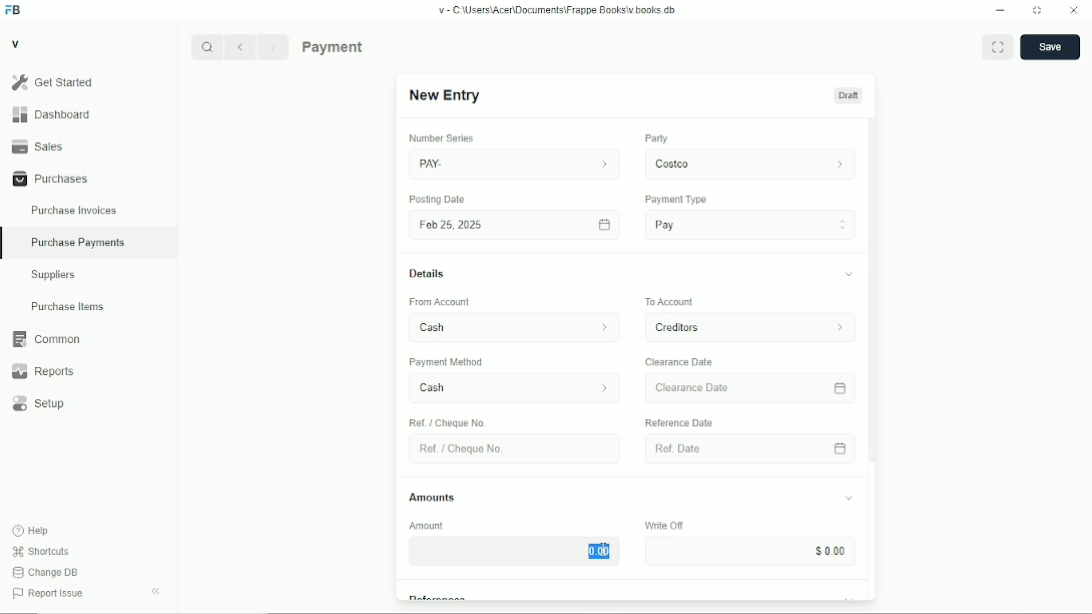 This screenshot has width=1092, height=614. Describe the element at coordinates (89, 275) in the screenshot. I see `Suppliers` at that location.